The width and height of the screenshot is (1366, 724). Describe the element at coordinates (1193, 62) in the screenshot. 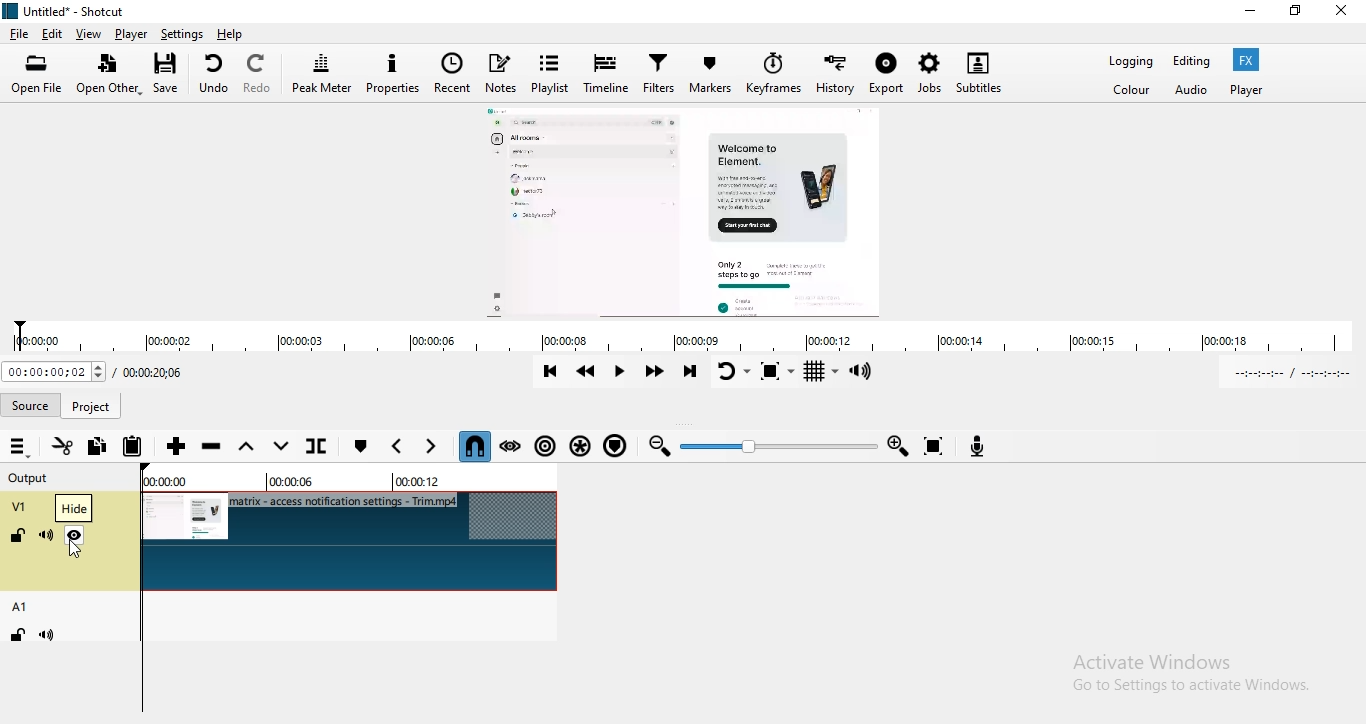

I see `Editing` at that location.